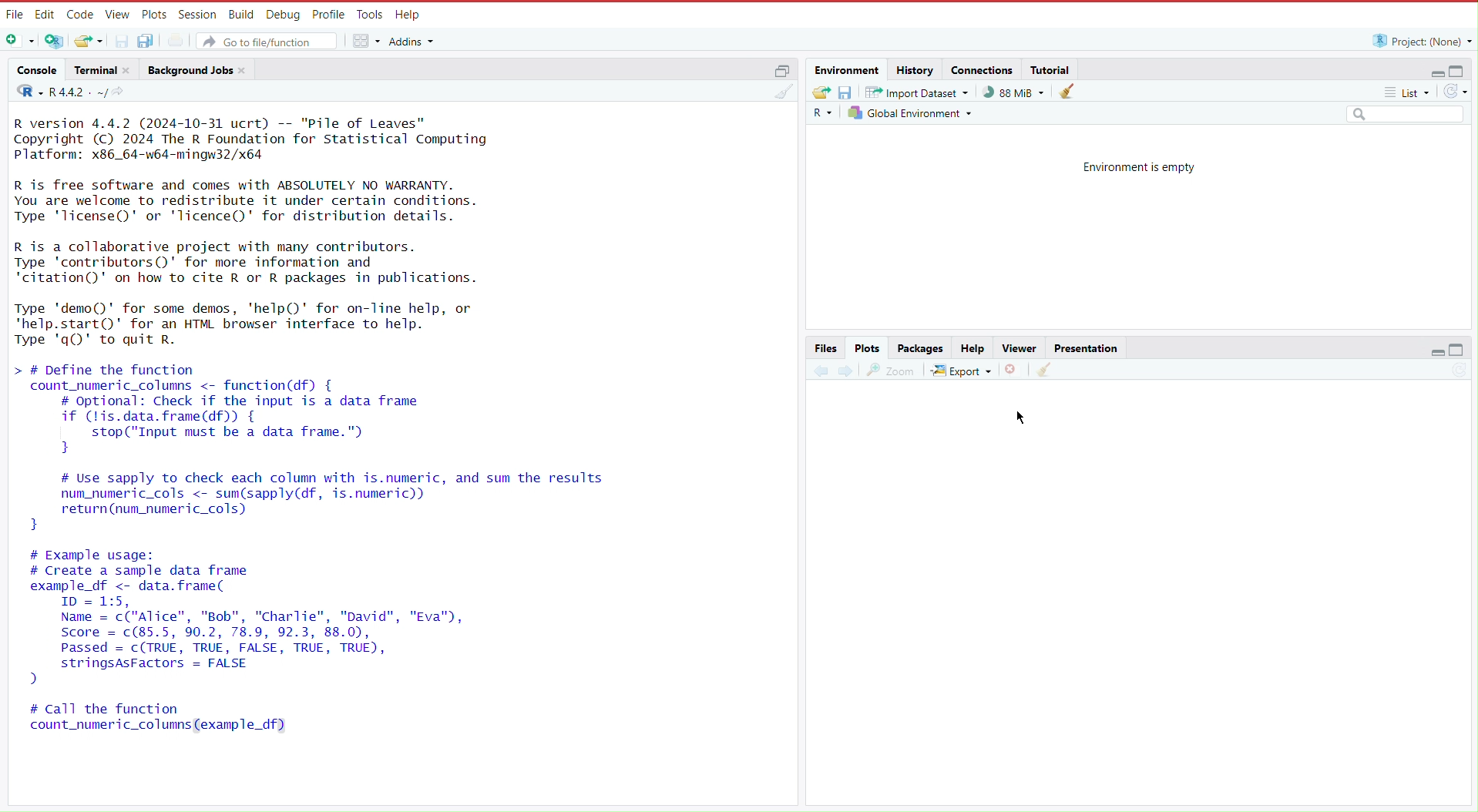  Describe the element at coordinates (962, 367) in the screenshot. I see `Export` at that location.